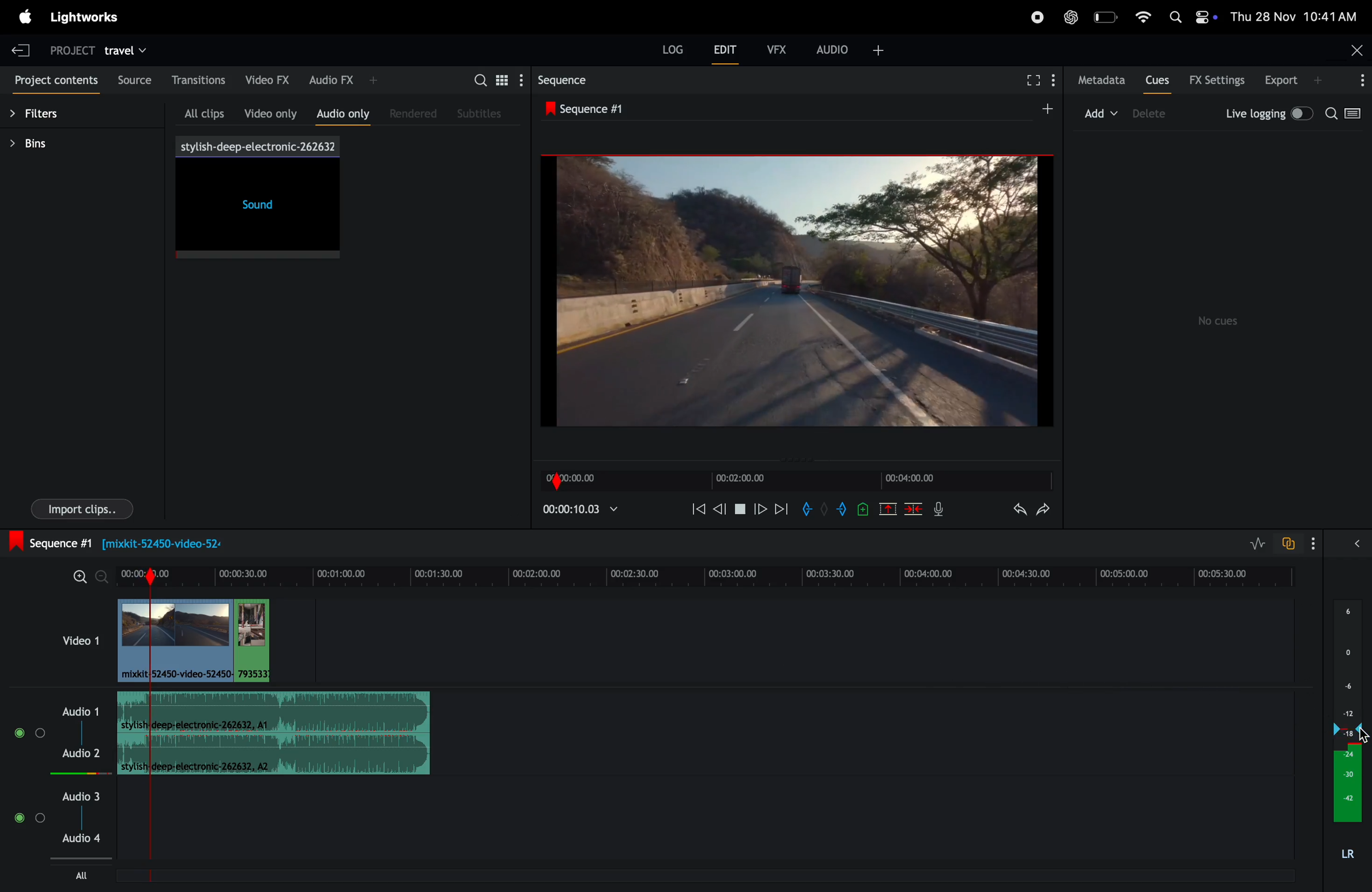 The width and height of the screenshot is (1372, 892). Describe the element at coordinates (197, 79) in the screenshot. I see `transations` at that location.